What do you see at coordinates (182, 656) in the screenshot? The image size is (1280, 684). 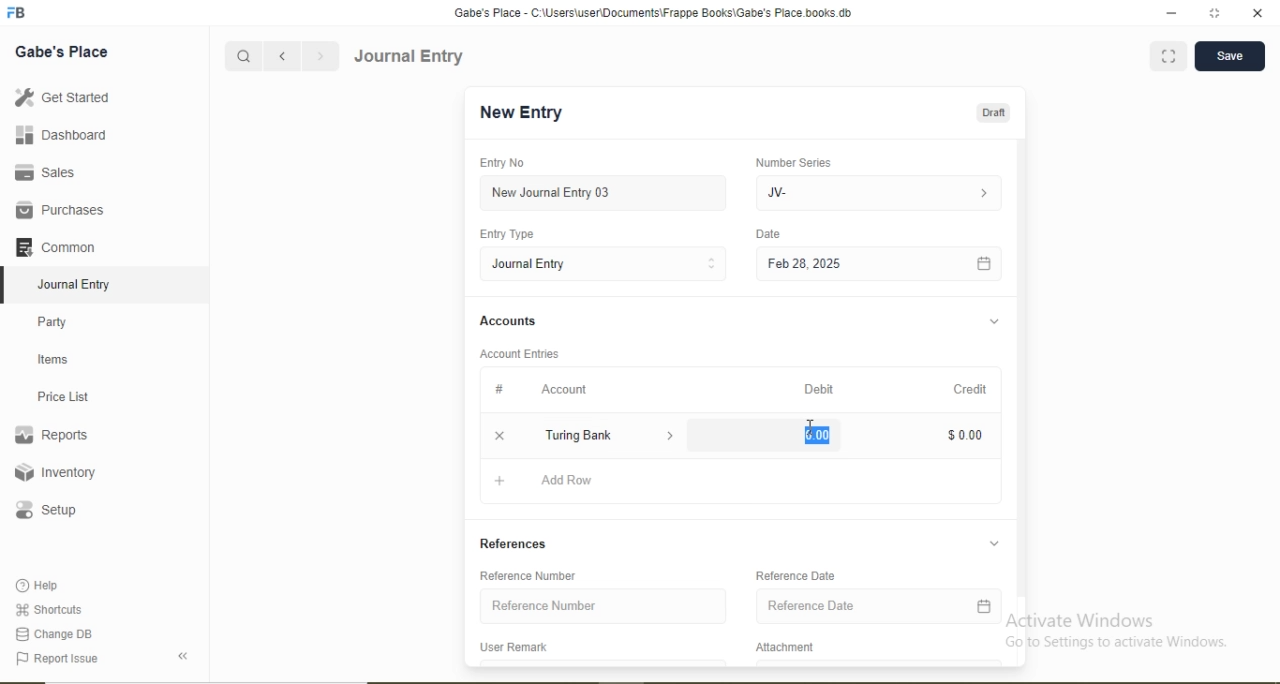 I see `Back` at bounding box center [182, 656].